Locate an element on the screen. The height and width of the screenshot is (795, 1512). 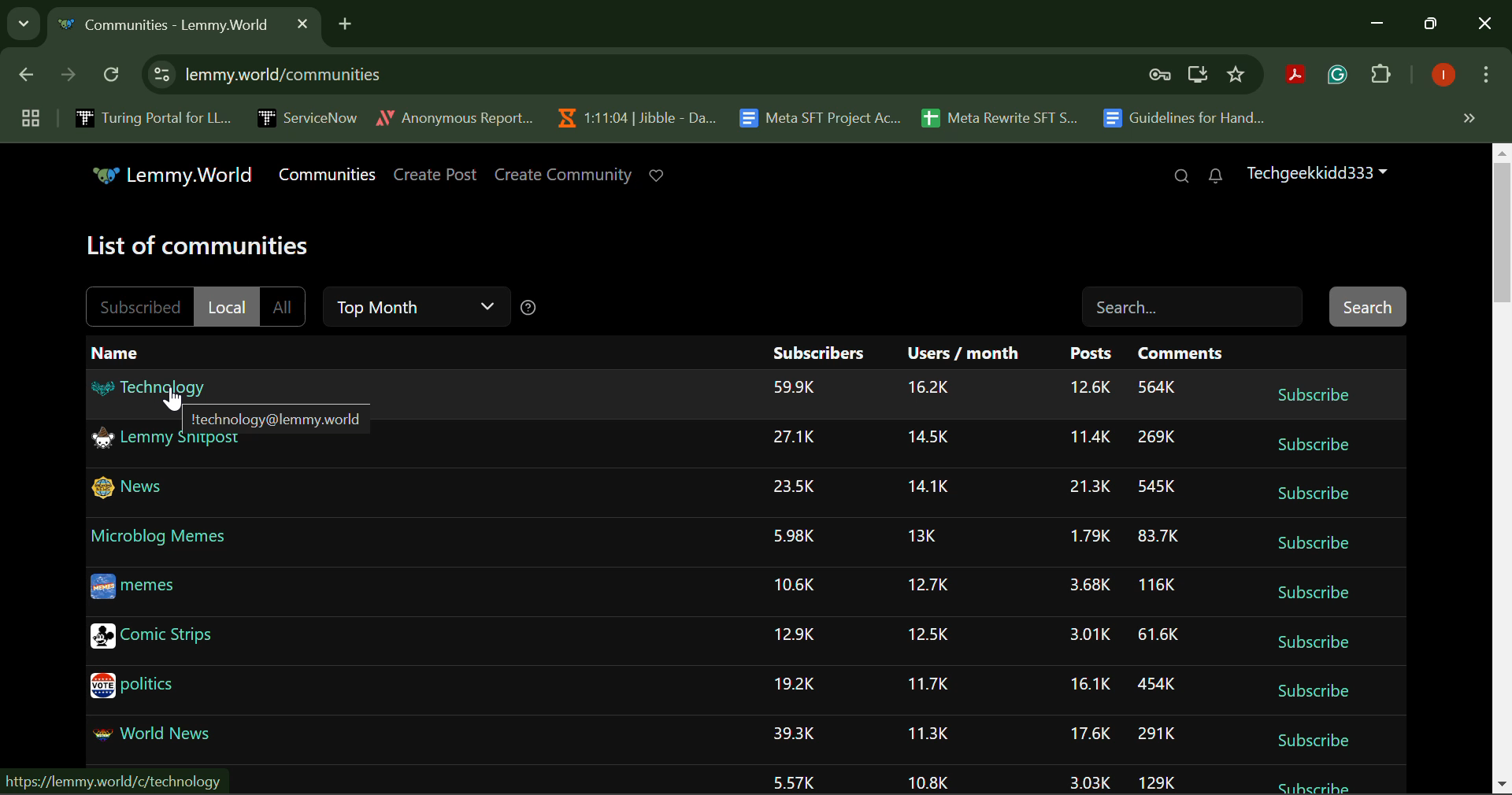
Add Tab is located at coordinates (345, 21).